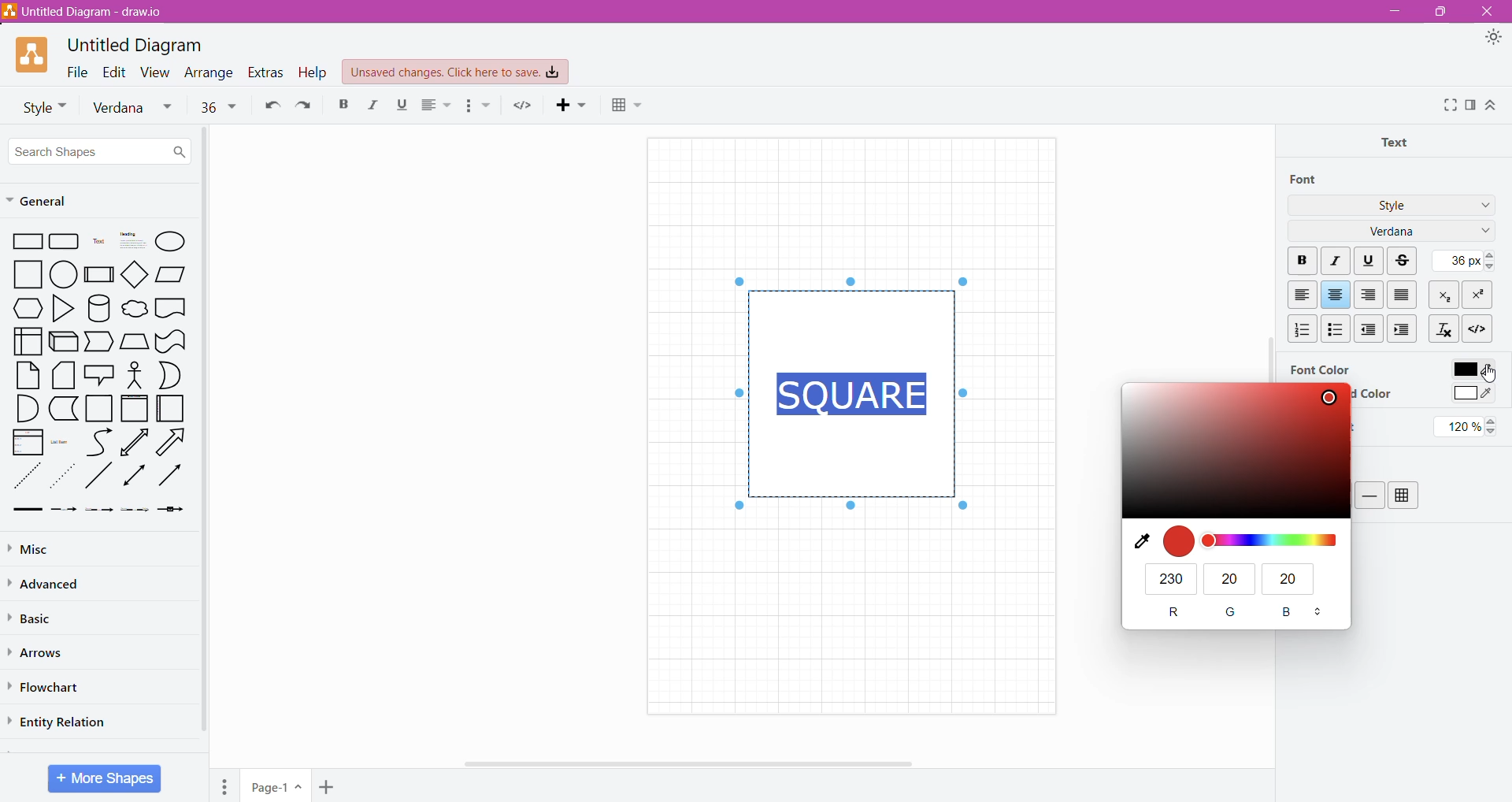 The image size is (1512, 802). I want to click on Curved Line, so click(98, 443).